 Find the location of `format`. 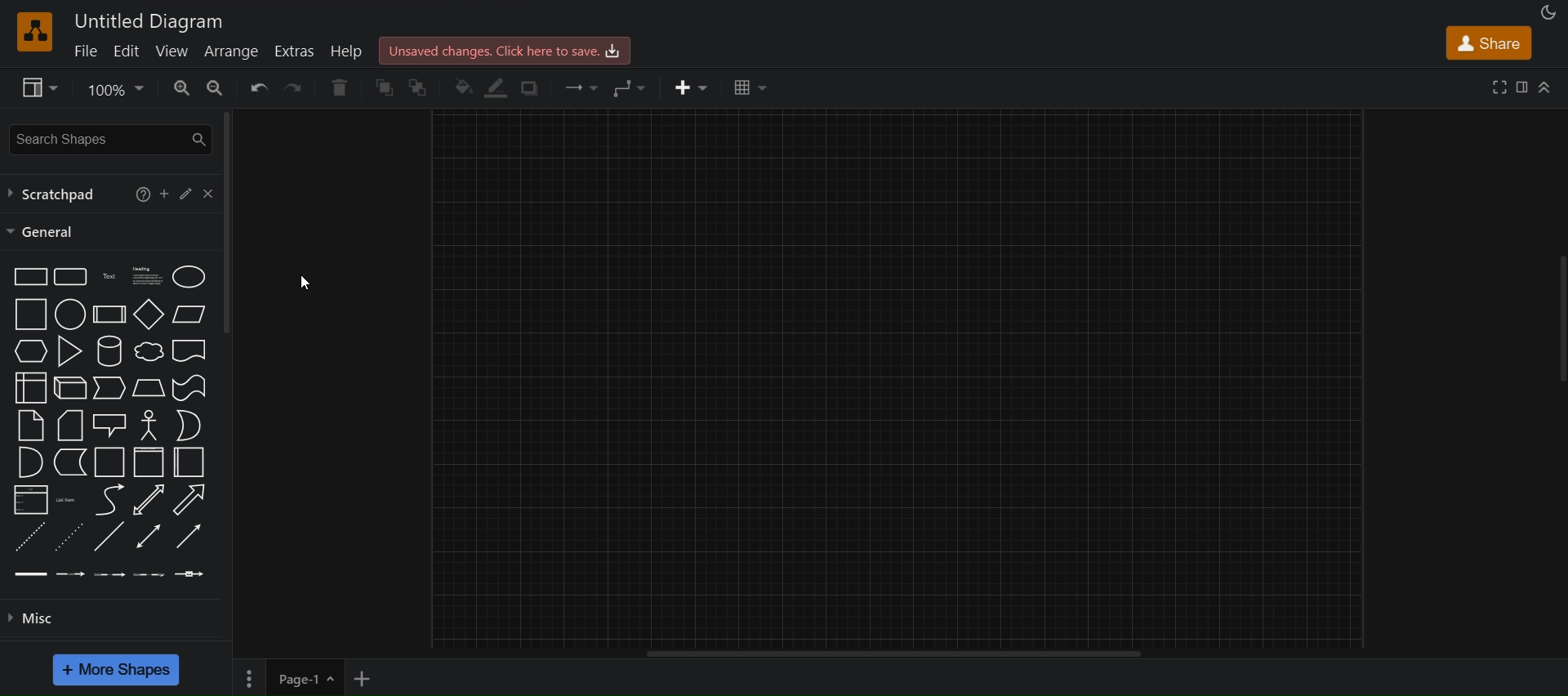

format is located at coordinates (1522, 87).